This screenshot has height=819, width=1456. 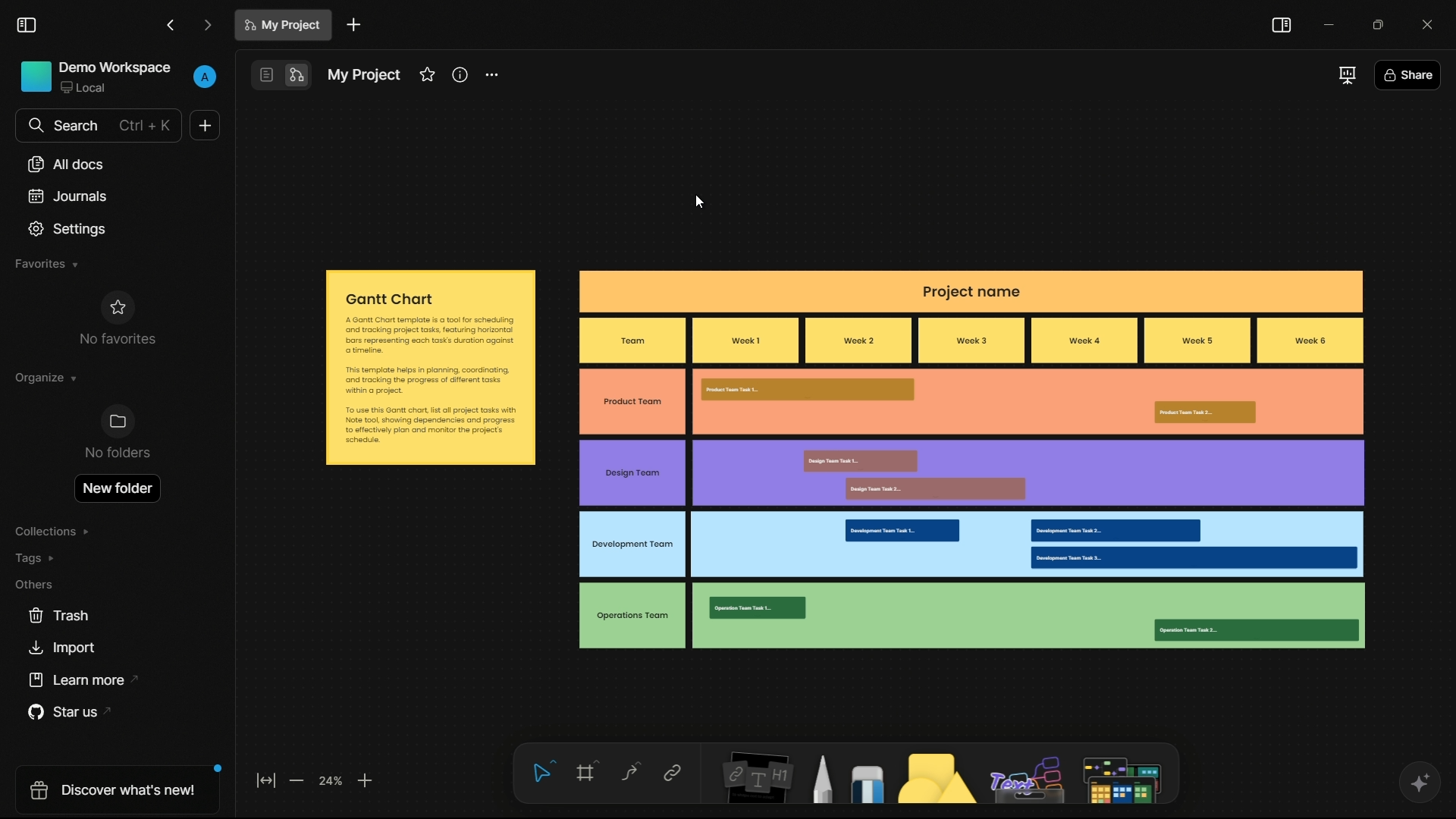 I want to click on tags, so click(x=38, y=557).